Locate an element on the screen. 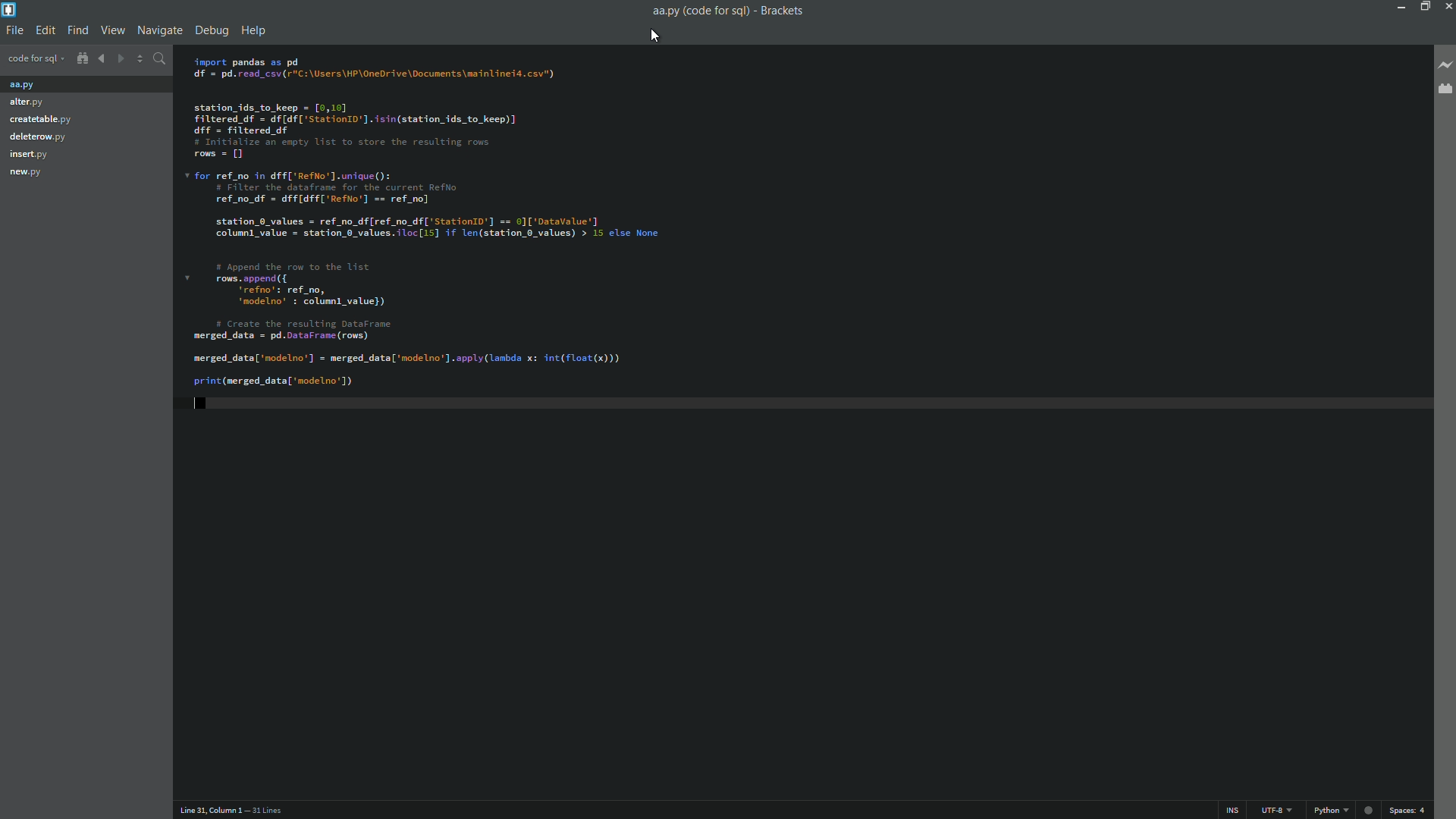 The image size is (1456, 819). Project file 5 is located at coordinates (42, 155).